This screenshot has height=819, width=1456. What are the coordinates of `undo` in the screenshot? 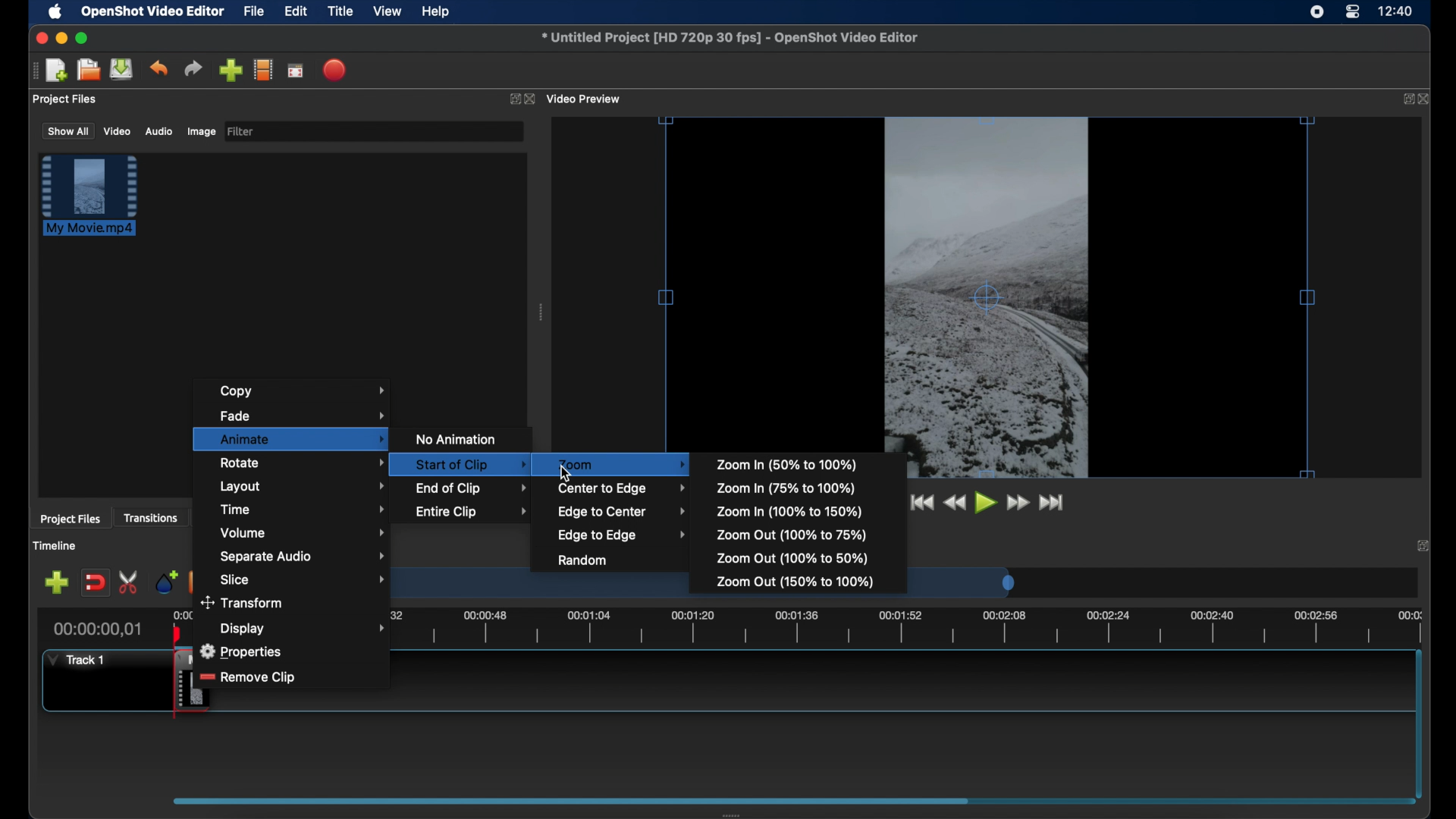 It's located at (158, 67).